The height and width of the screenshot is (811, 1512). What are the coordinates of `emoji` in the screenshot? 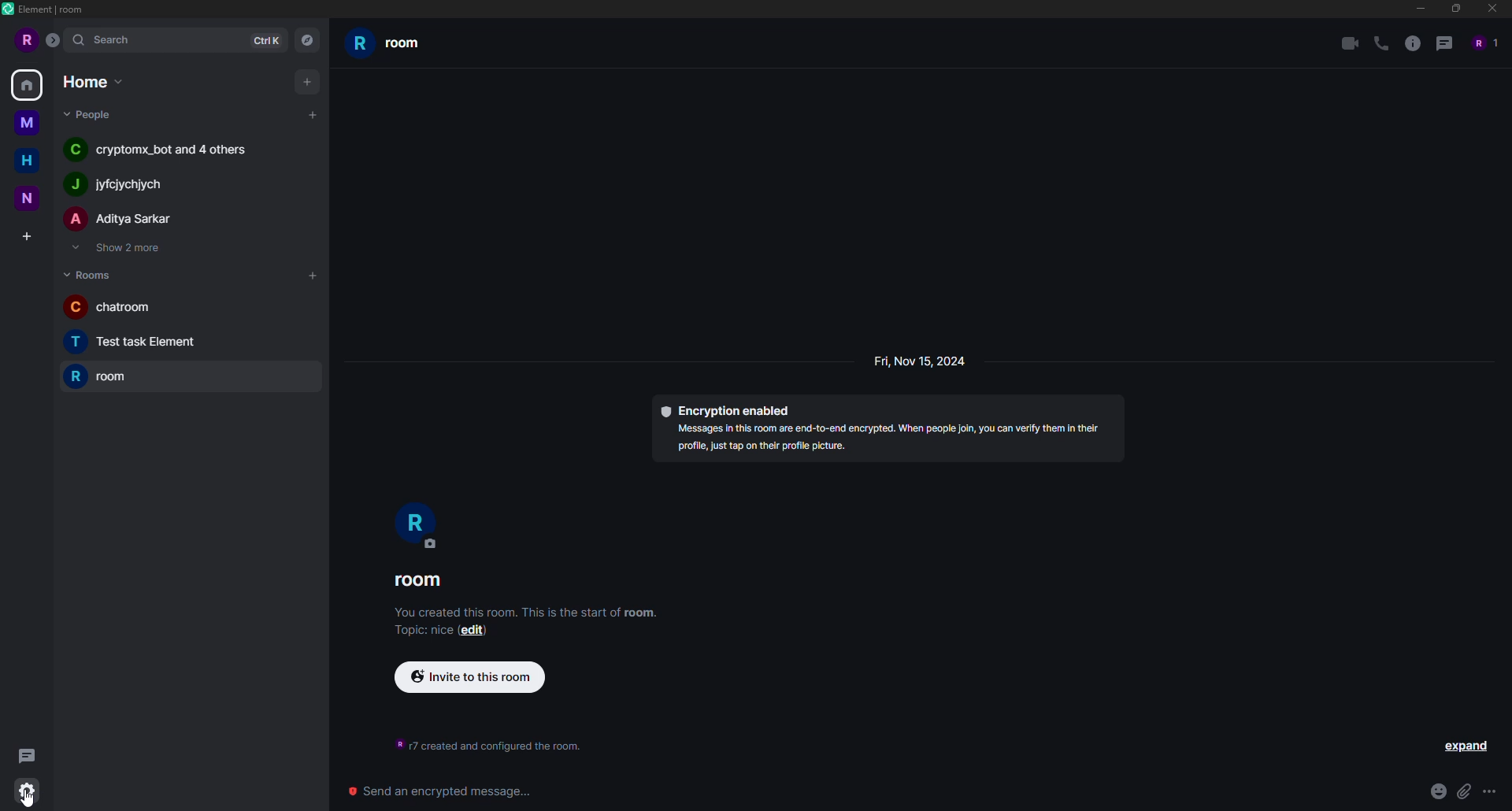 It's located at (1435, 791).